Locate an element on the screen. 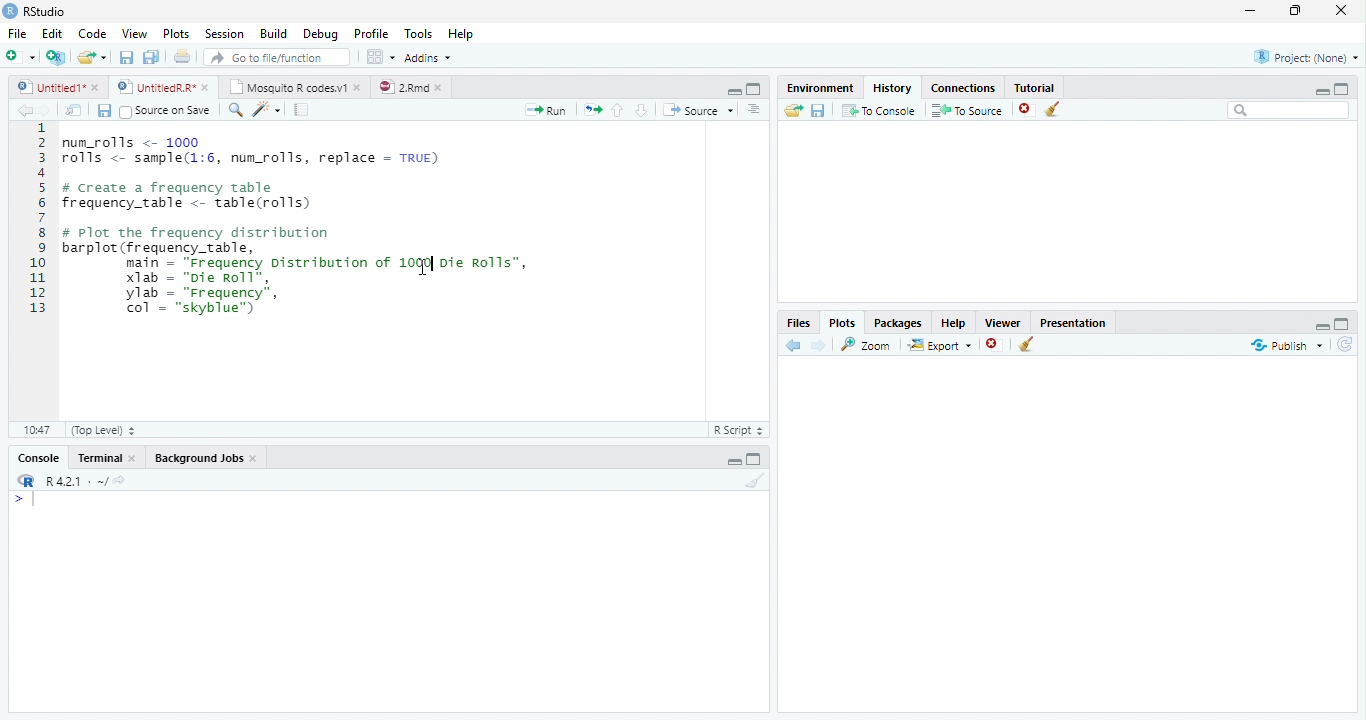 This screenshot has height=720, width=1366. History is located at coordinates (893, 86).